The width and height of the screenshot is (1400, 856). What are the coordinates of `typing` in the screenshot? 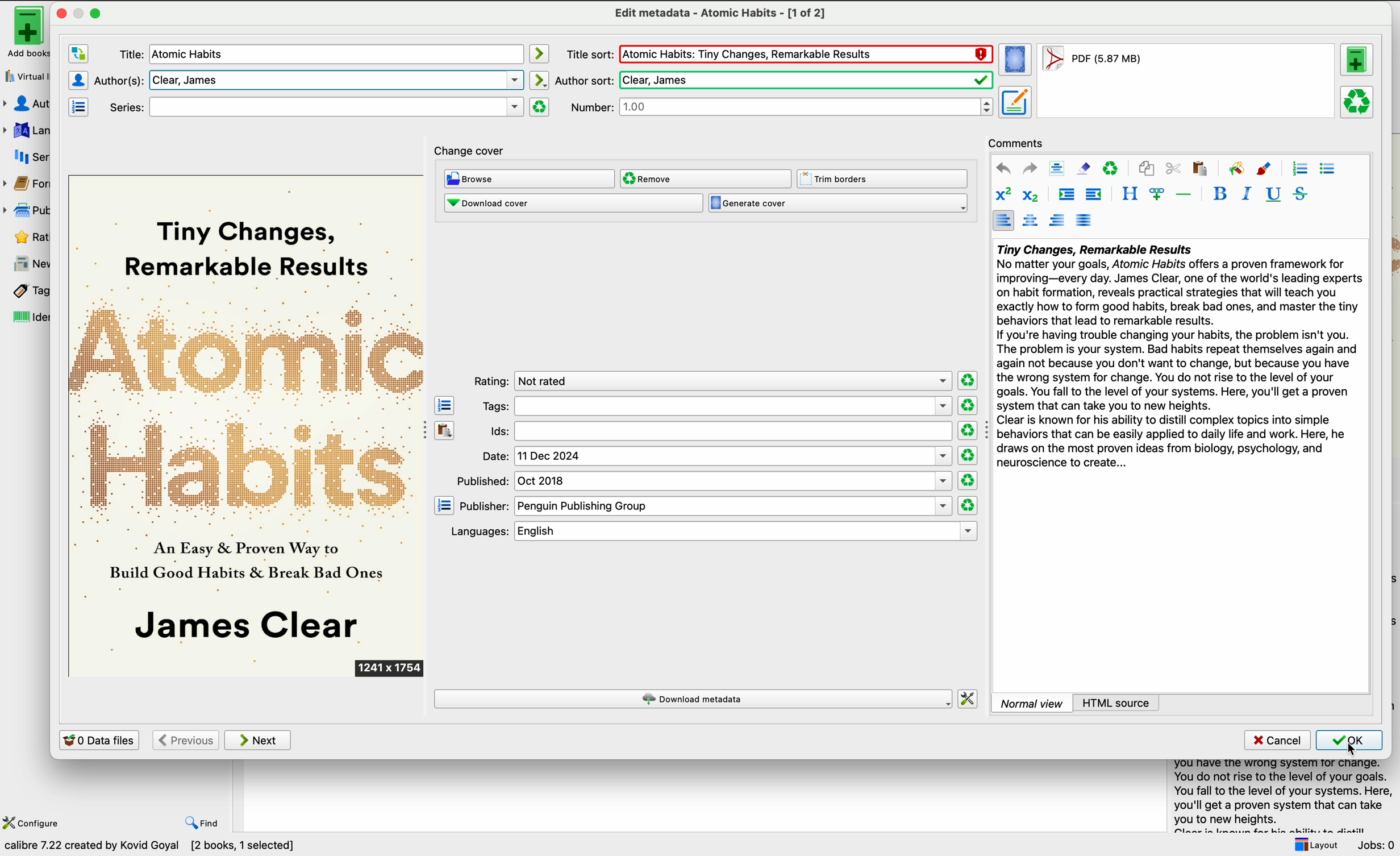 It's located at (334, 80).